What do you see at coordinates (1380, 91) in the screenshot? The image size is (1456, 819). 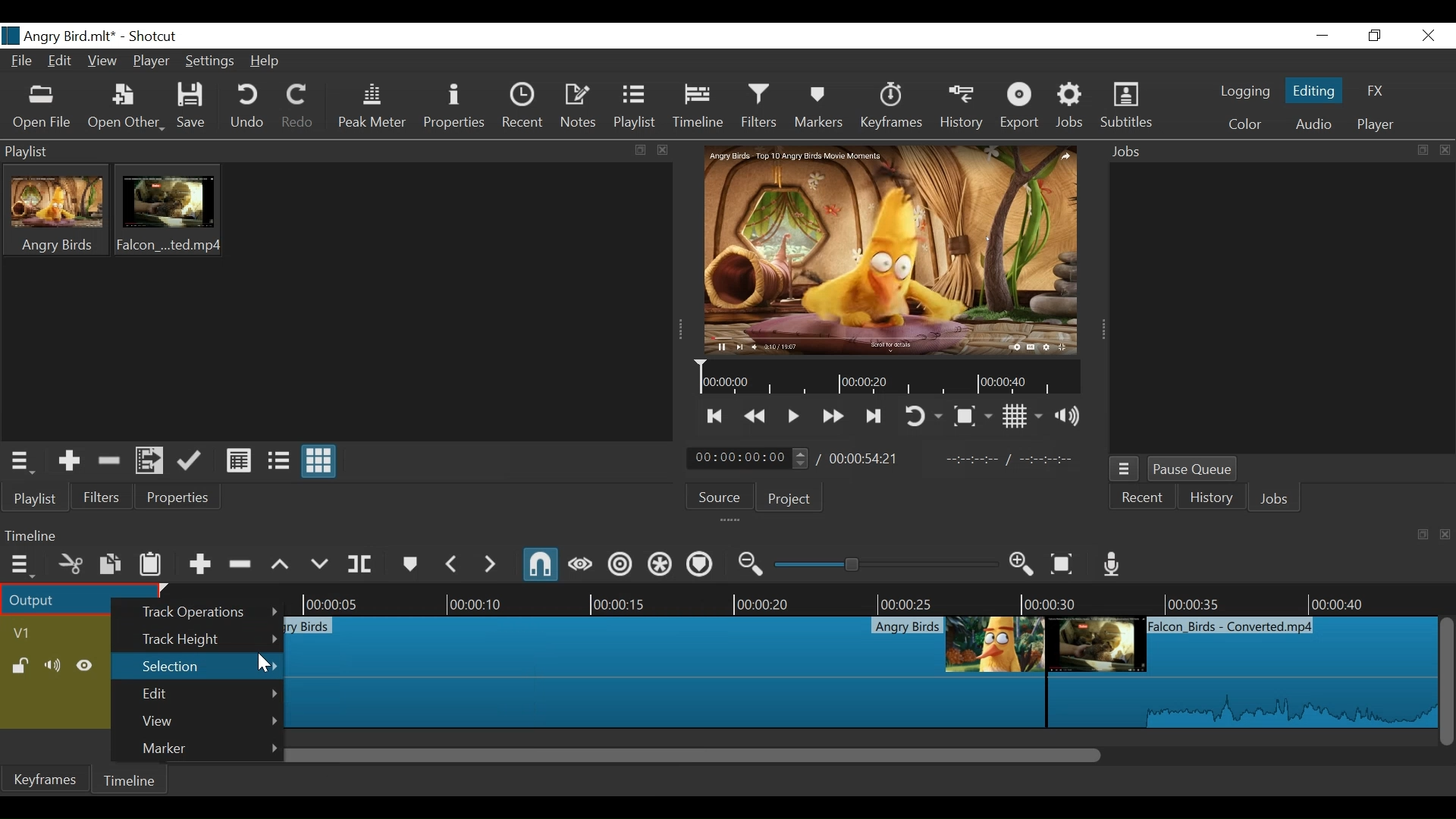 I see `FX` at bounding box center [1380, 91].